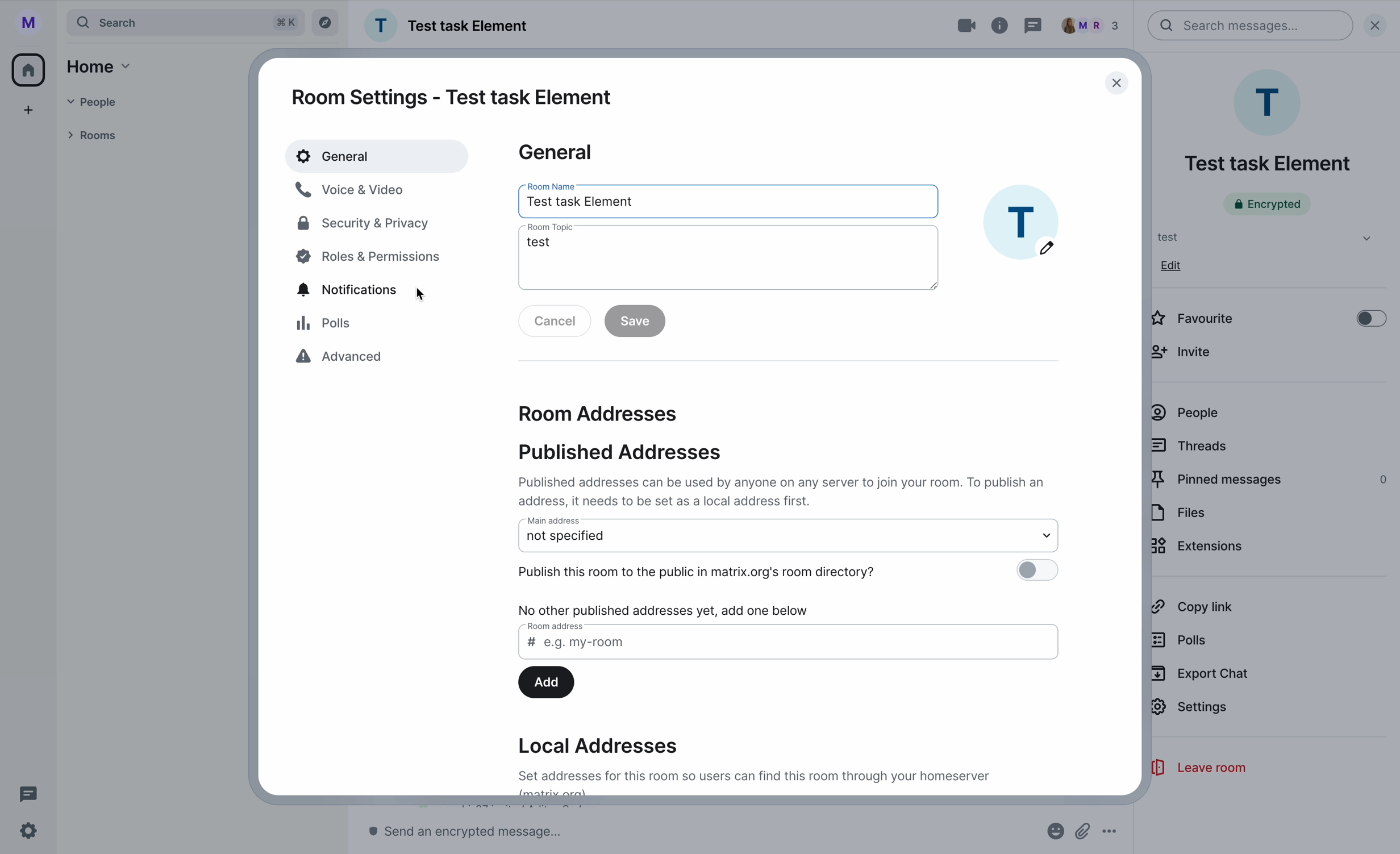 The image size is (1400, 854). I want to click on room info, so click(1001, 26).